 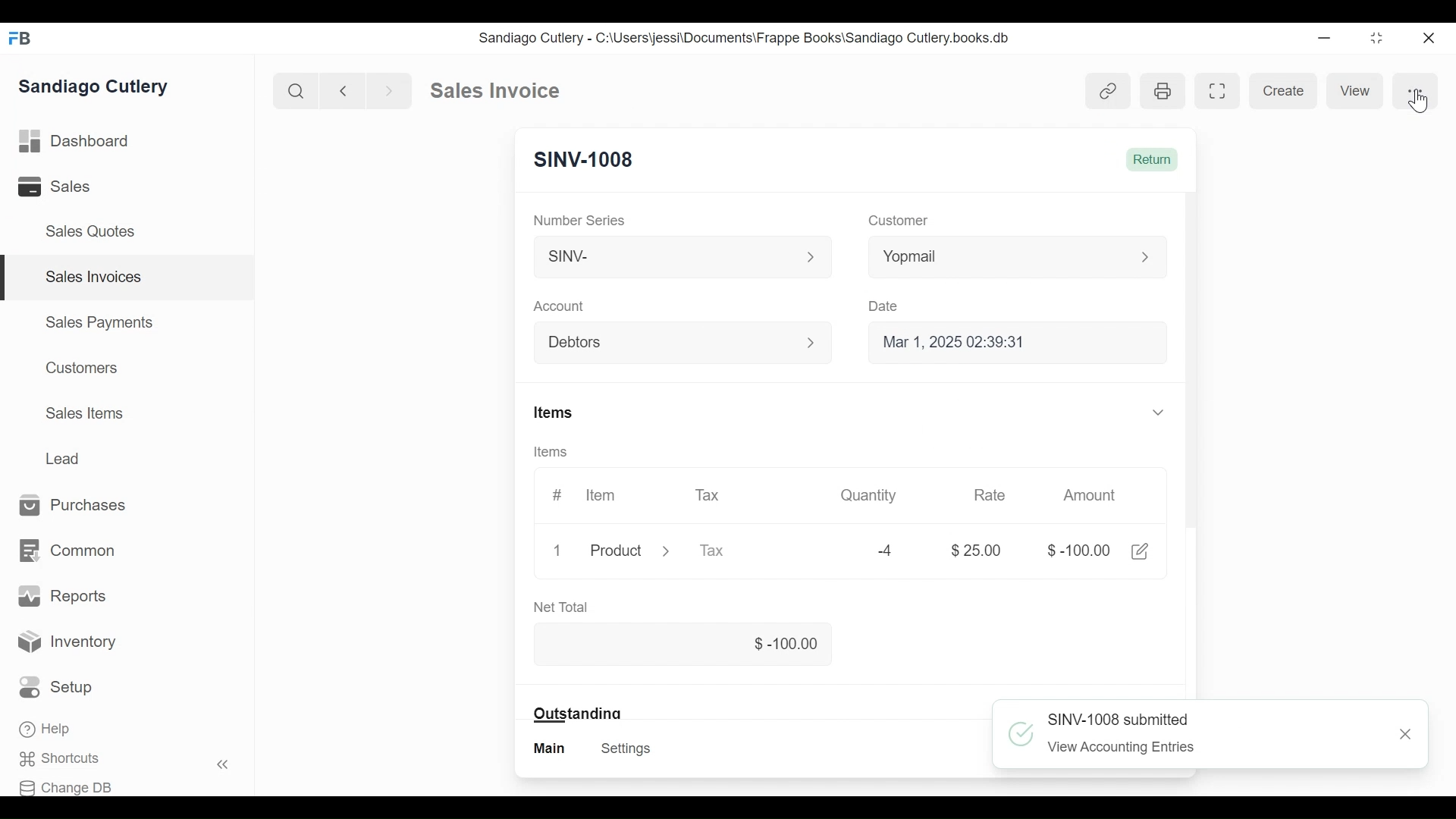 I want to click on $25.00, so click(x=978, y=551).